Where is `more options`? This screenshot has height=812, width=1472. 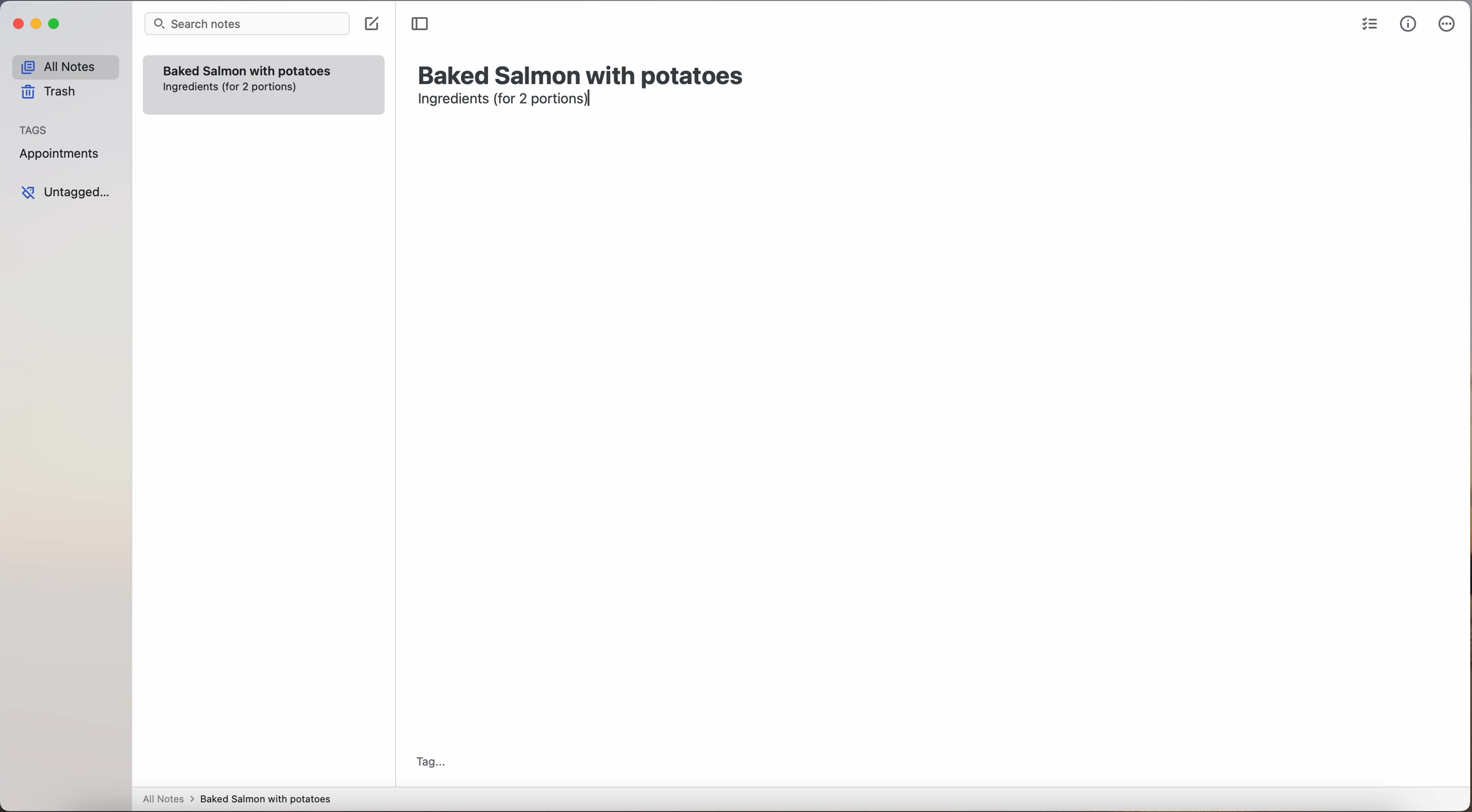
more options is located at coordinates (1449, 25).